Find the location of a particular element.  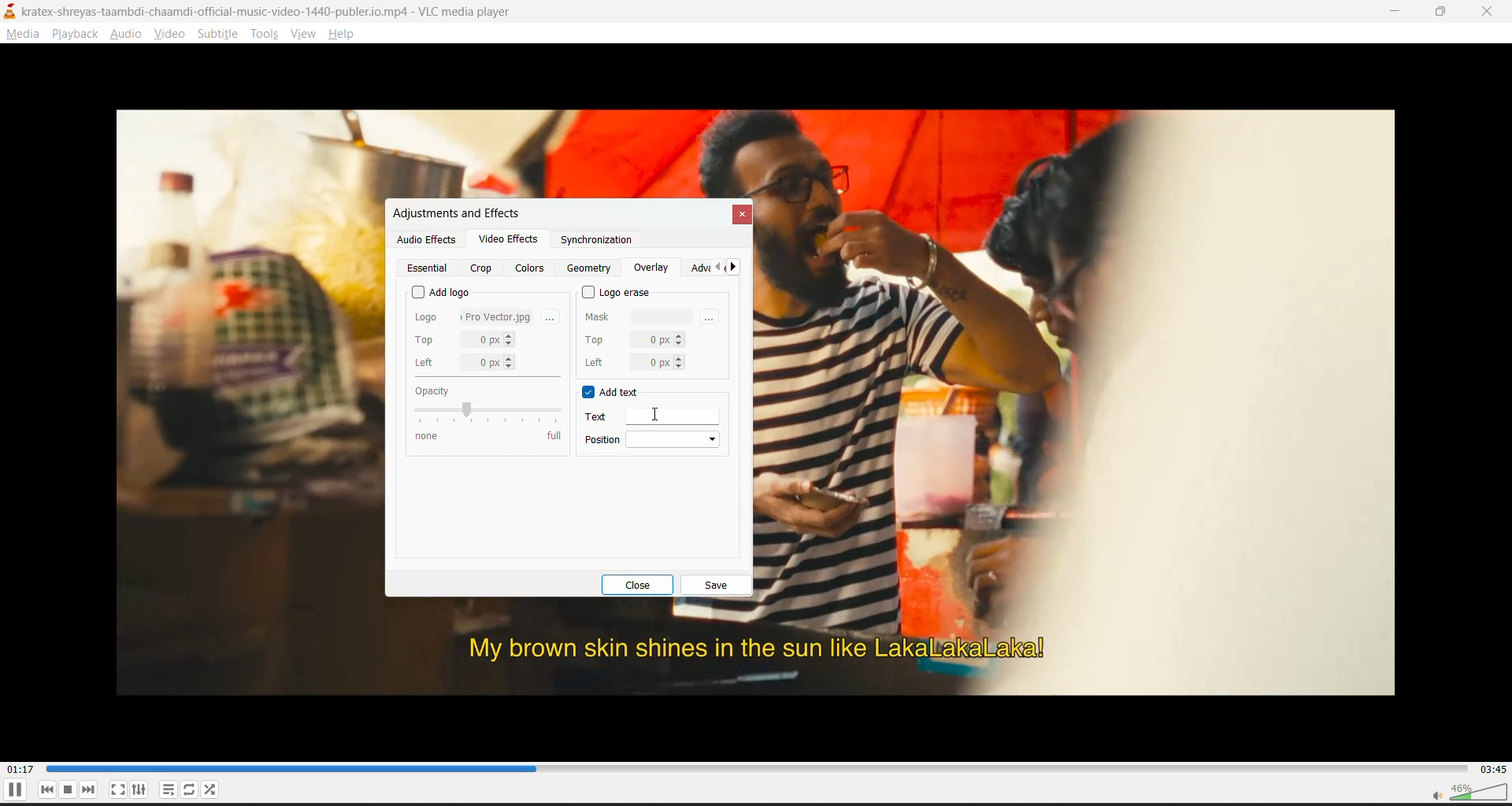

close tab is located at coordinates (740, 215).